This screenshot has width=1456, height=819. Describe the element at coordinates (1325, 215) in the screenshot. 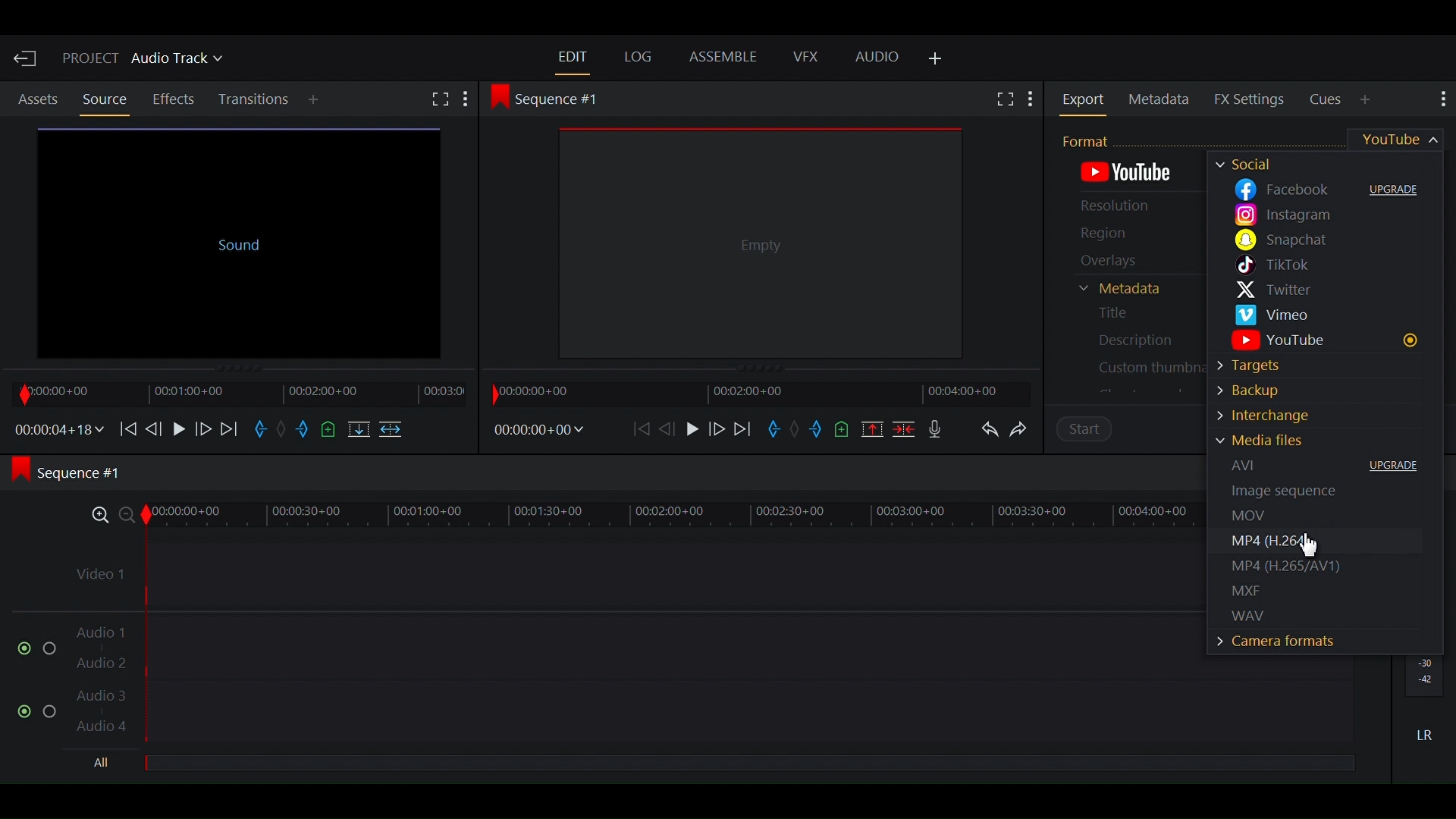

I see `Instagram` at that location.